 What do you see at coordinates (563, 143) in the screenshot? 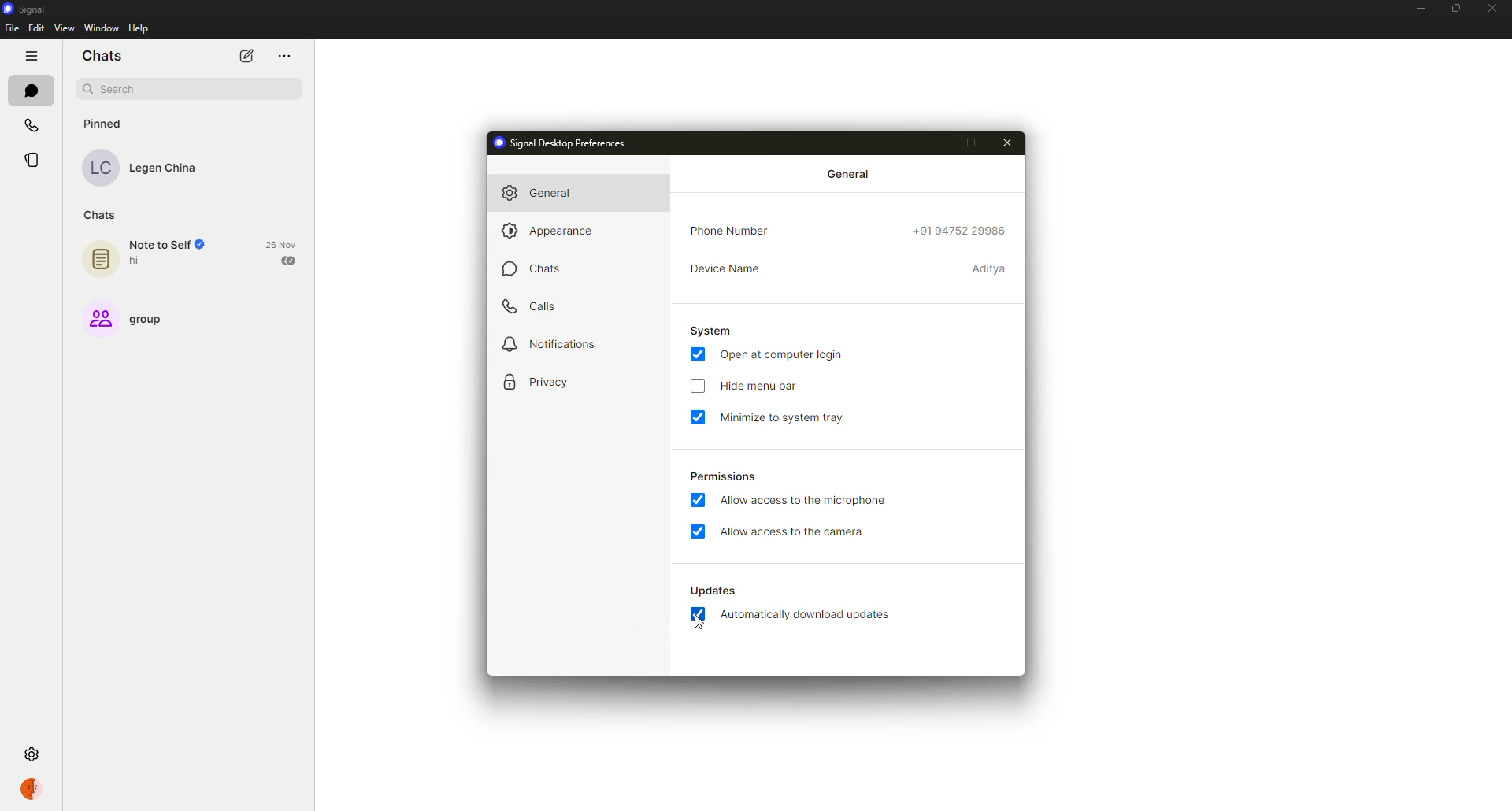
I see `signal desktop preferences` at bounding box center [563, 143].